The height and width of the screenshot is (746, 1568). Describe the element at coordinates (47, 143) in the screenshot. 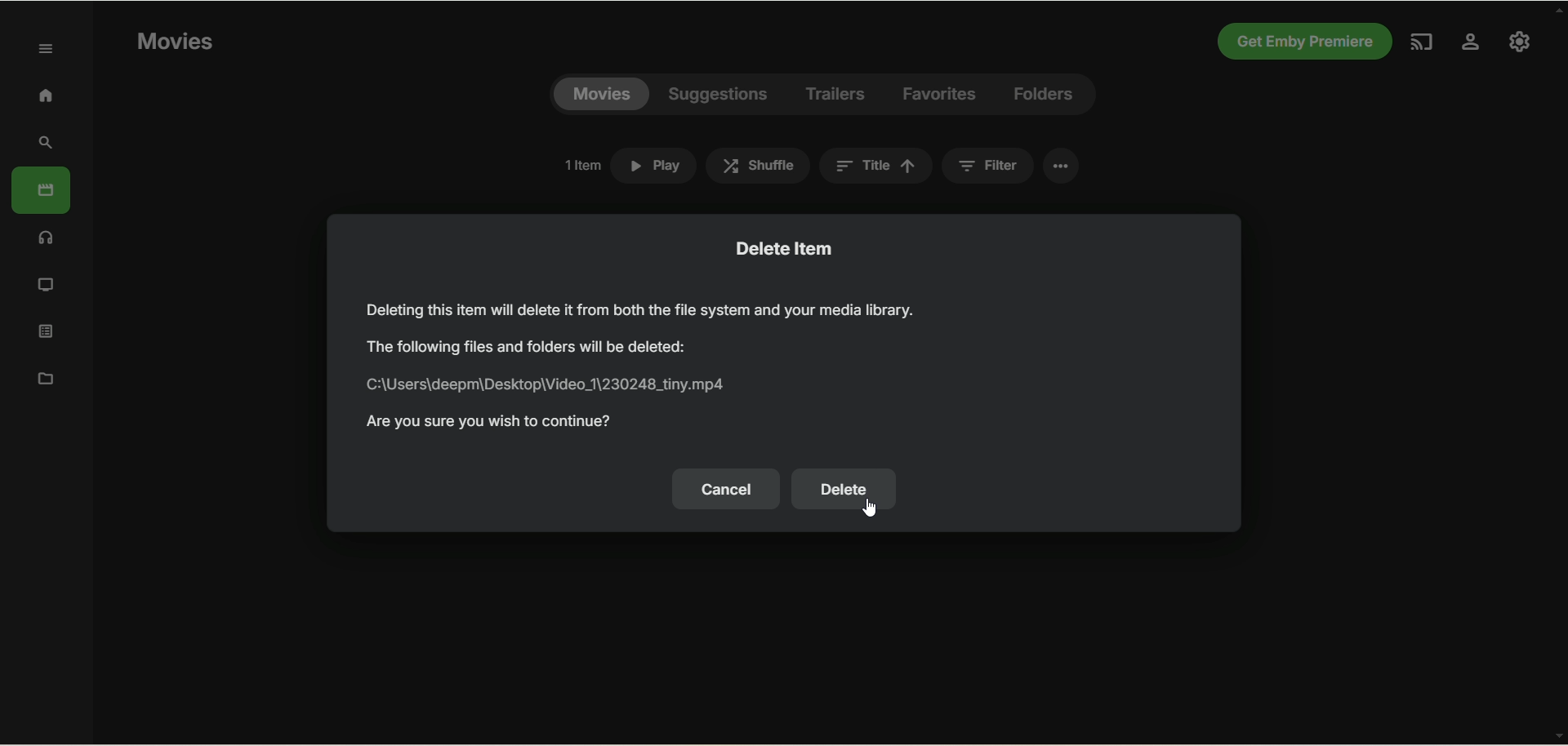

I see `search` at that location.